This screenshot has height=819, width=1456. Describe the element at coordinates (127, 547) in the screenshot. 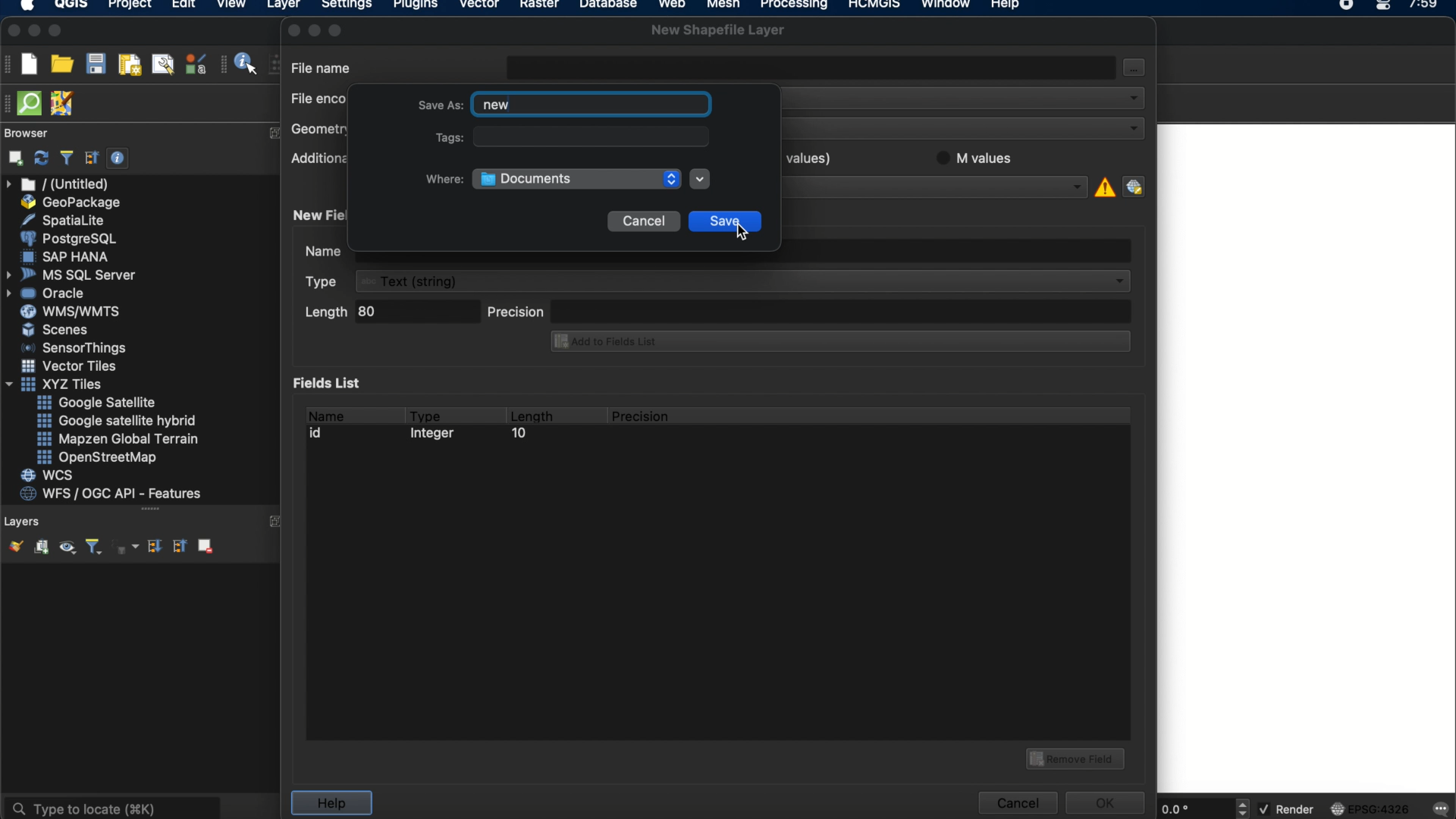

I see `filter legend by expression` at that location.